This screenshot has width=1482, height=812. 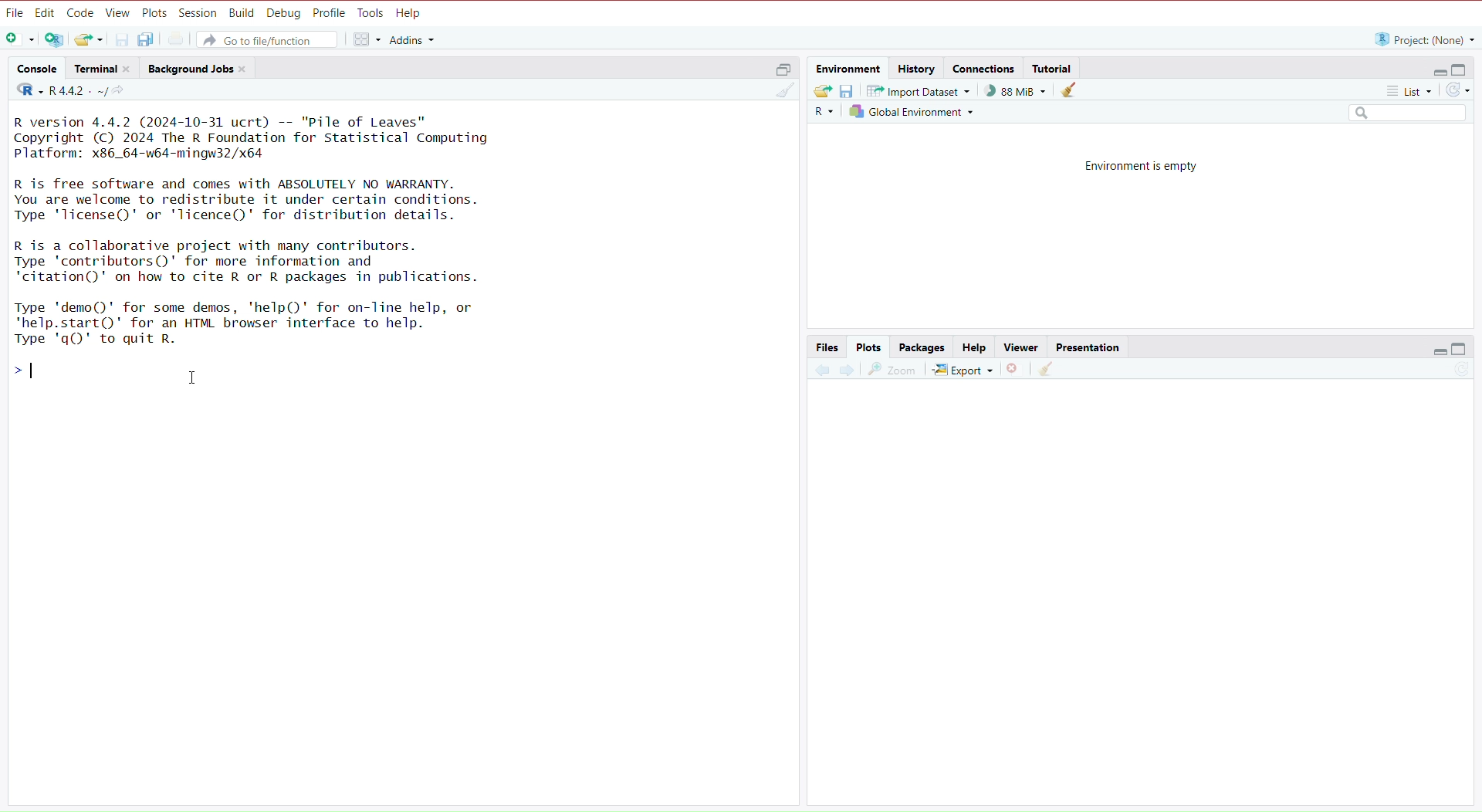 What do you see at coordinates (1461, 68) in the screenshot?
I see `Full Height` at bounding box center [1461, 68].